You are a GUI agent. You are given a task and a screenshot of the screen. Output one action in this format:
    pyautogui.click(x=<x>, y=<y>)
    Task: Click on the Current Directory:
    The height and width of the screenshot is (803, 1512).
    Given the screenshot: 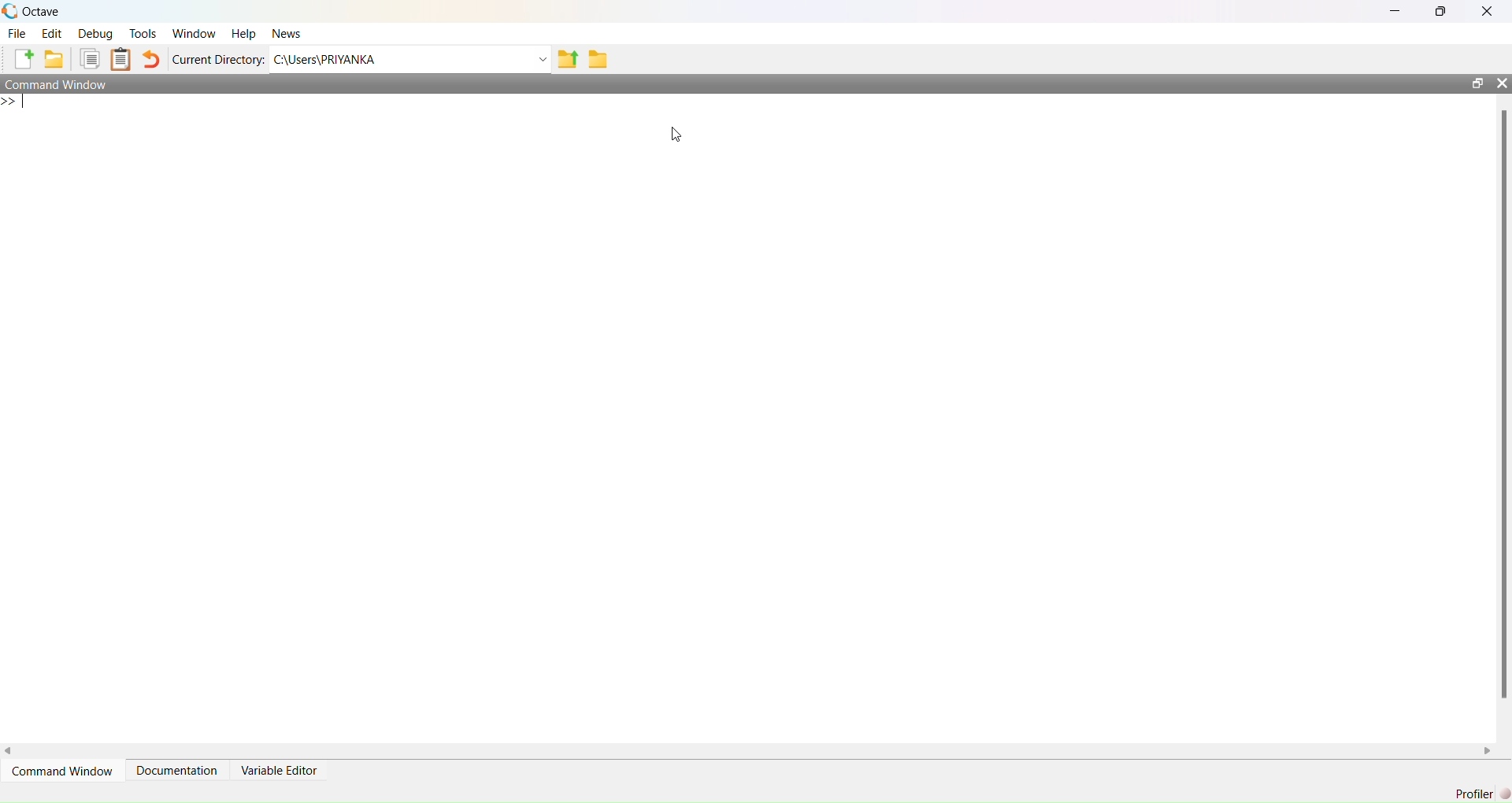 What is the action you would take?
    pyautogui.click(x=219, y=61)
    